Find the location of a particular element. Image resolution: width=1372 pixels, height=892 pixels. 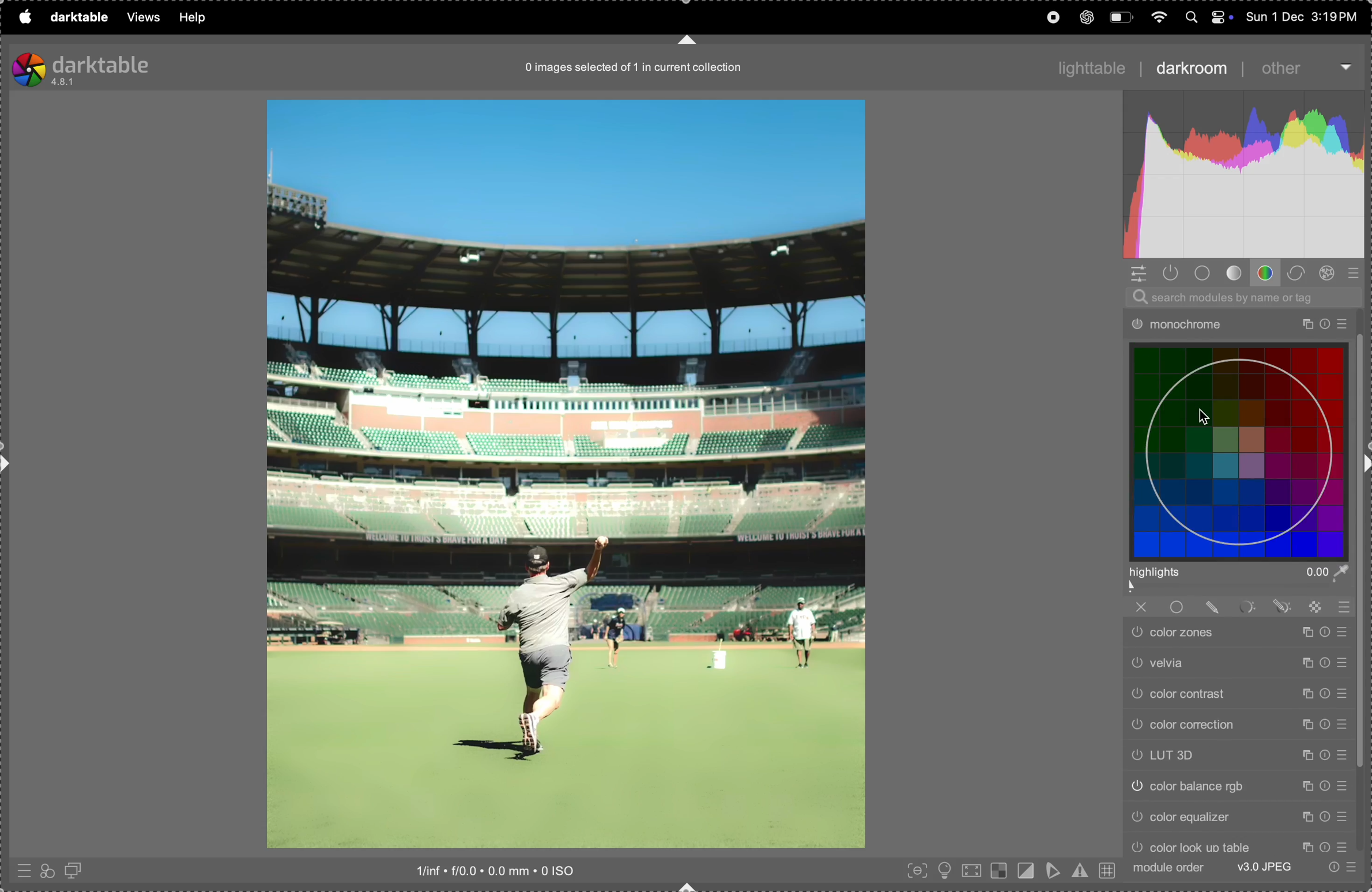

help is located at coordinates (197, 17).